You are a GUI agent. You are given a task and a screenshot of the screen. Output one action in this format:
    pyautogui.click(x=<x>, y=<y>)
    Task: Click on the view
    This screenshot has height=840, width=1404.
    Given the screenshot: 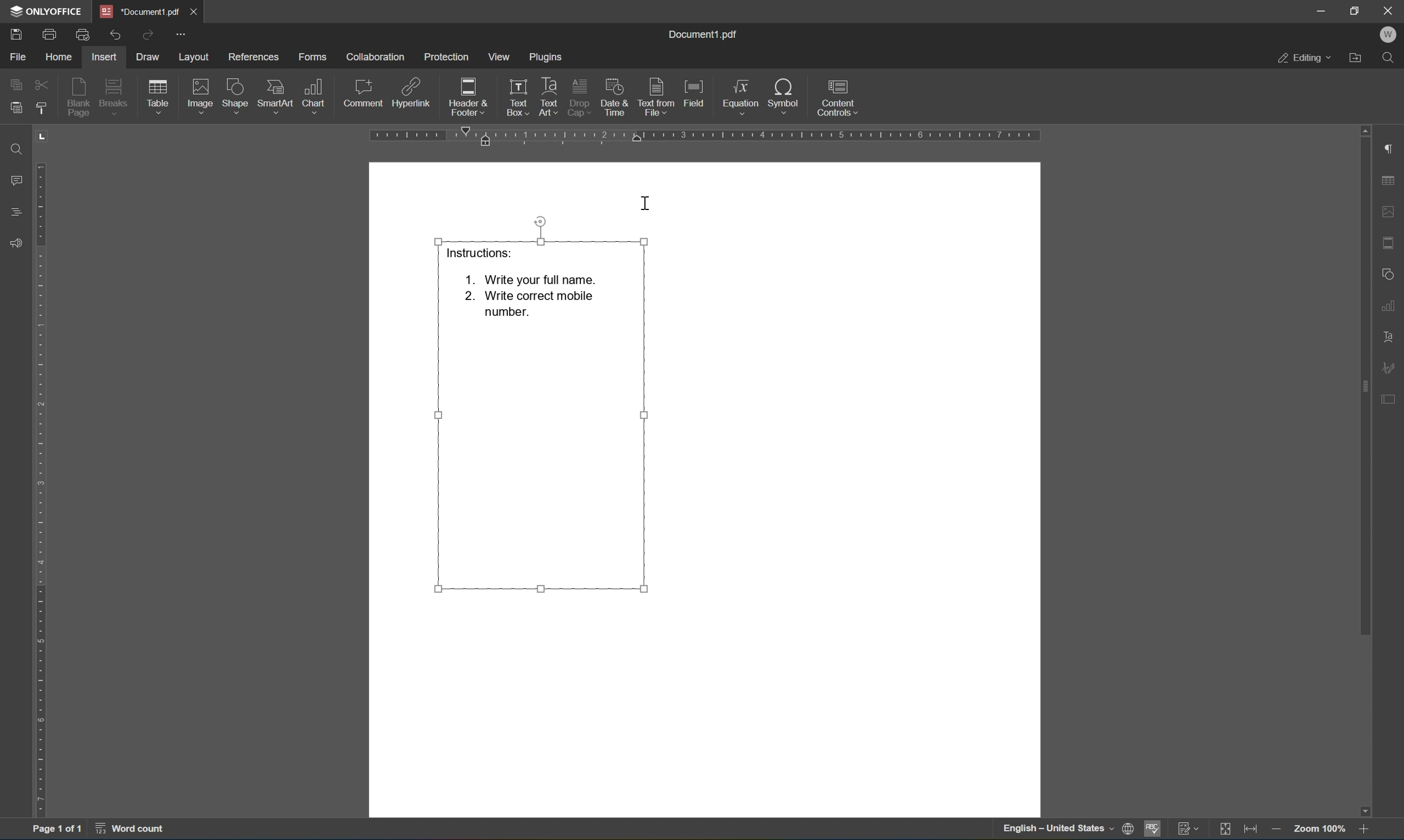 What is the action you would take?
    pyautogui.click(x=498, y=56)
    